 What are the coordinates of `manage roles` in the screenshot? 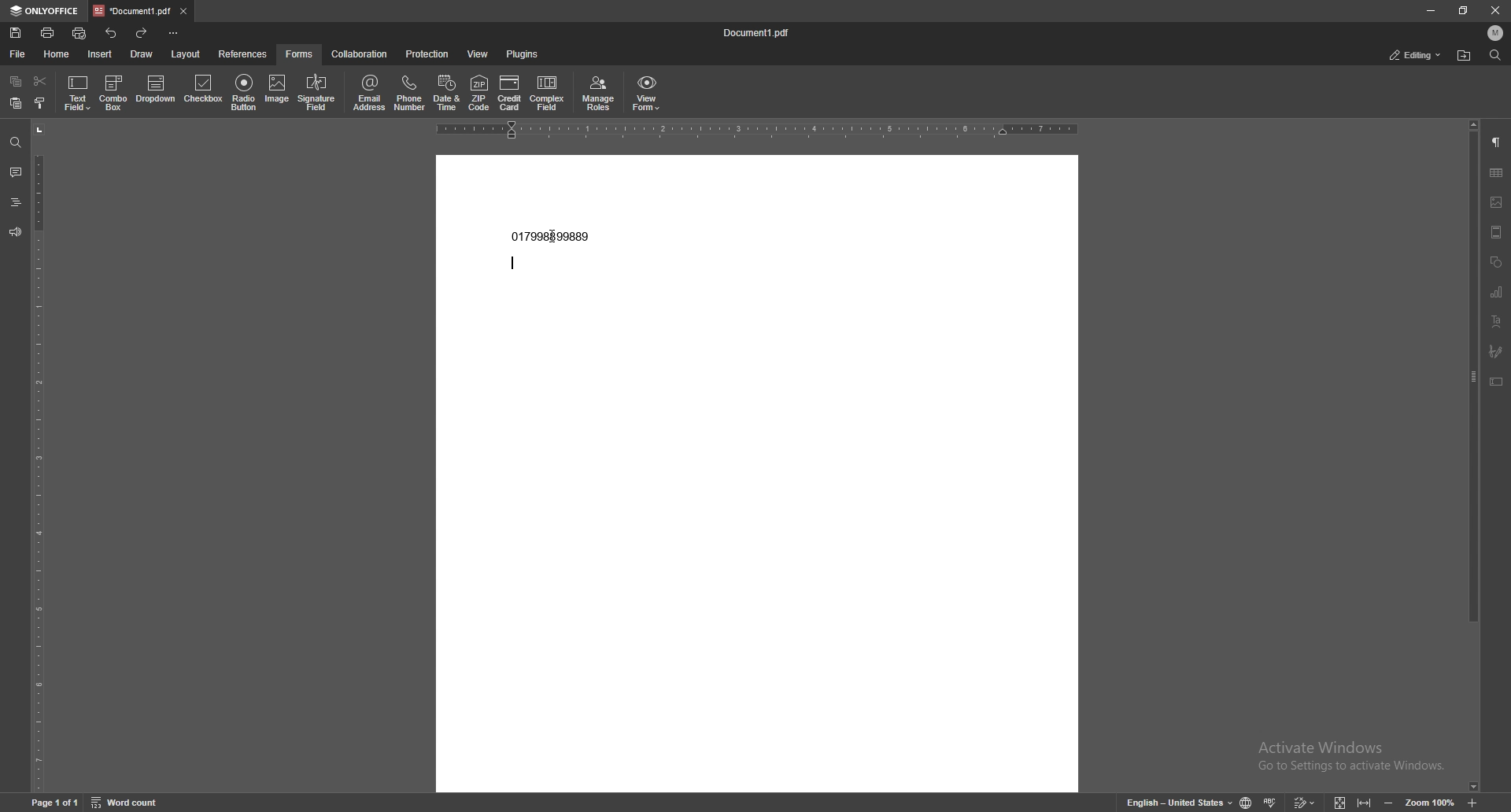 It's located at (599, 94).